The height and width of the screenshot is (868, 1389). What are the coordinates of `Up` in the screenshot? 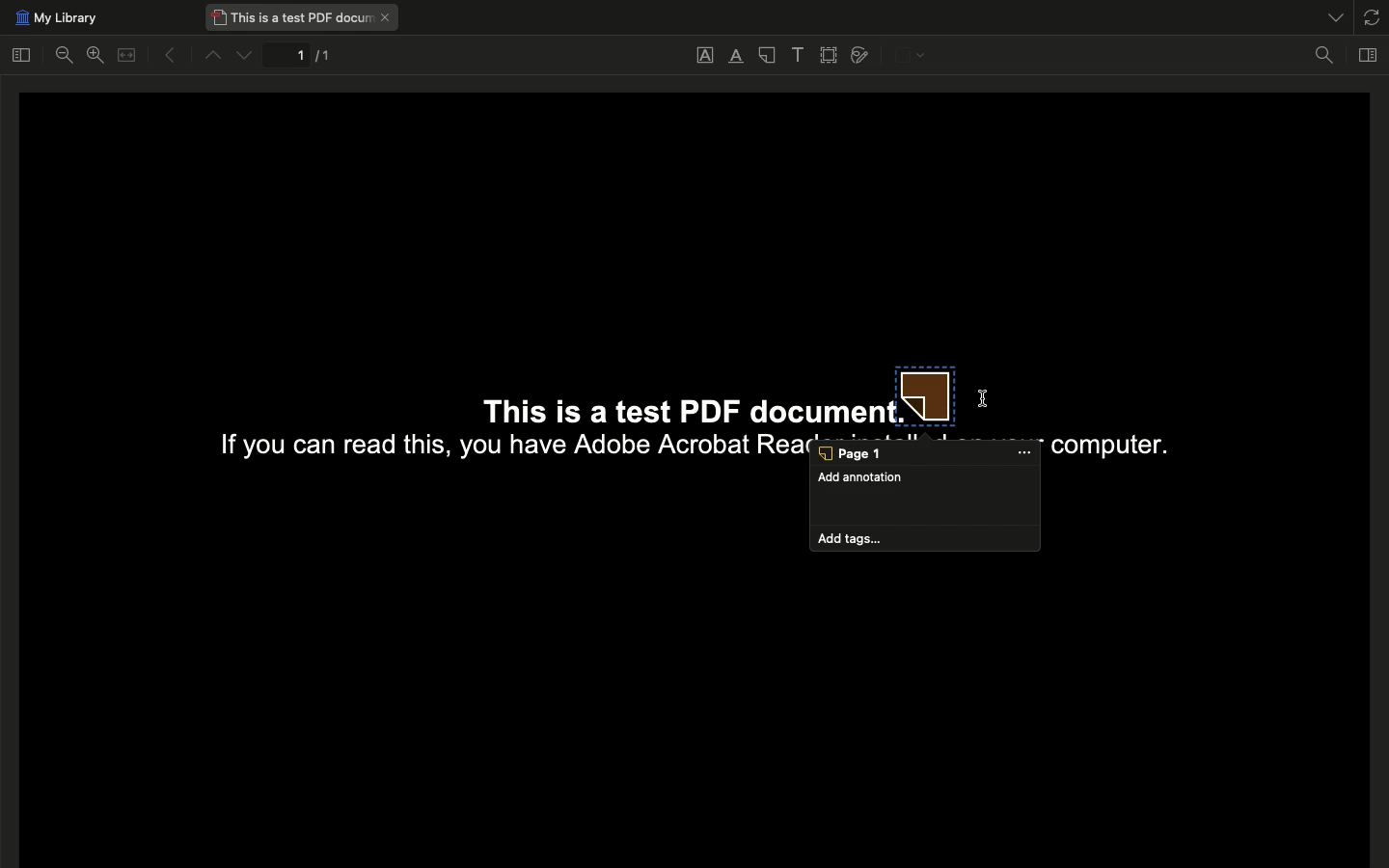 It's located at (211, 57).